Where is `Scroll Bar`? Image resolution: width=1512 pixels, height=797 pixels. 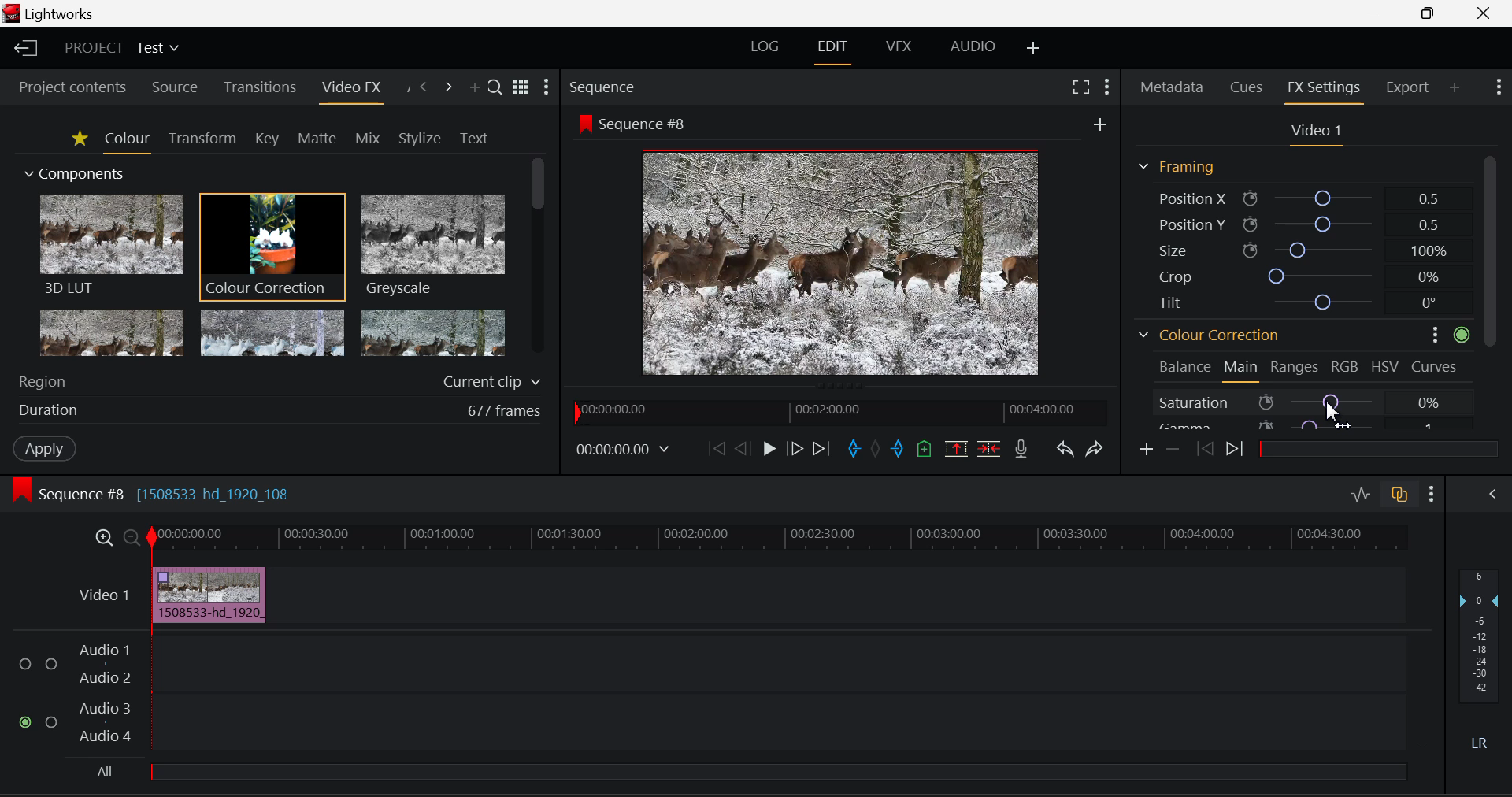
Scroll Bar is located at coordinates (1492, 290).